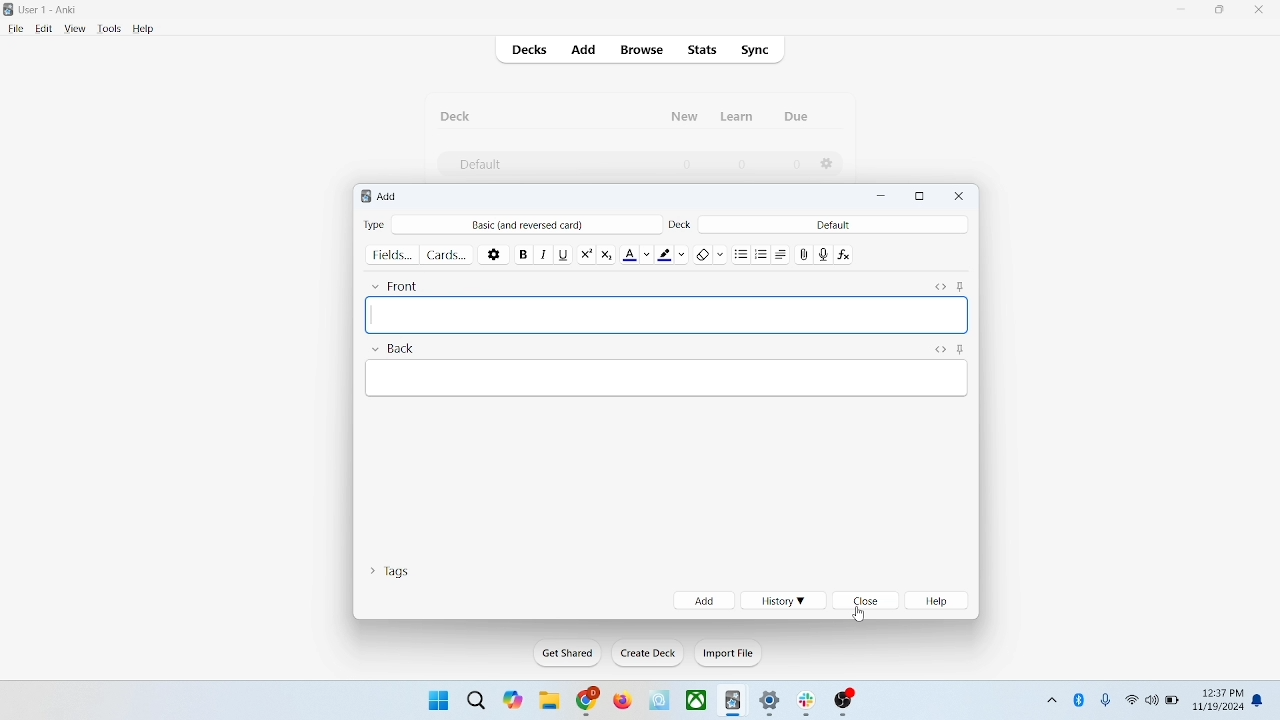 This screenshot has width=1280, height=720. What do you see at coordinates (782, 601) in the screenshot?
I see `history` at bounding box center [782, 601].